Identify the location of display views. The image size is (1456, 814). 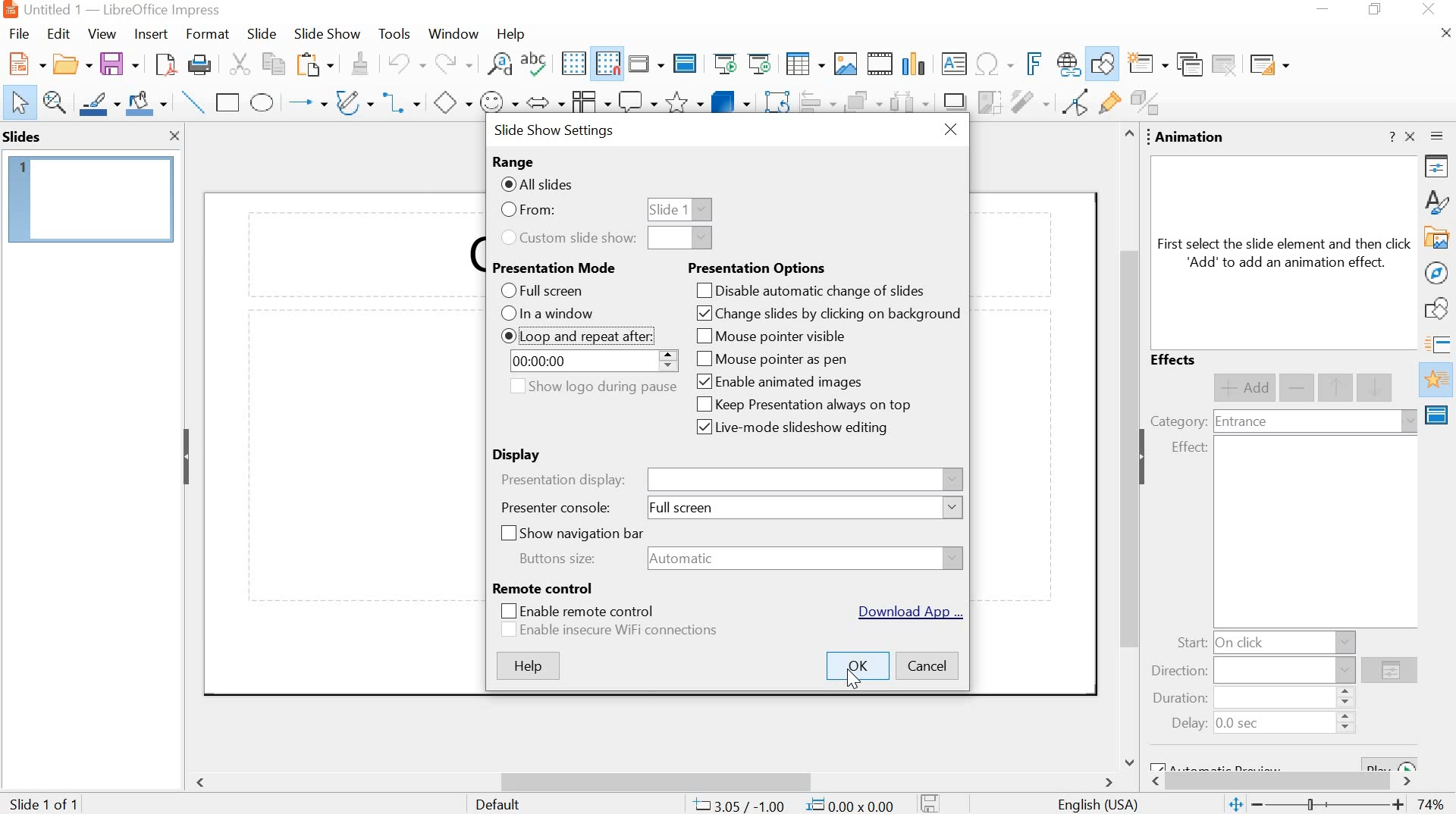
(645, 64).